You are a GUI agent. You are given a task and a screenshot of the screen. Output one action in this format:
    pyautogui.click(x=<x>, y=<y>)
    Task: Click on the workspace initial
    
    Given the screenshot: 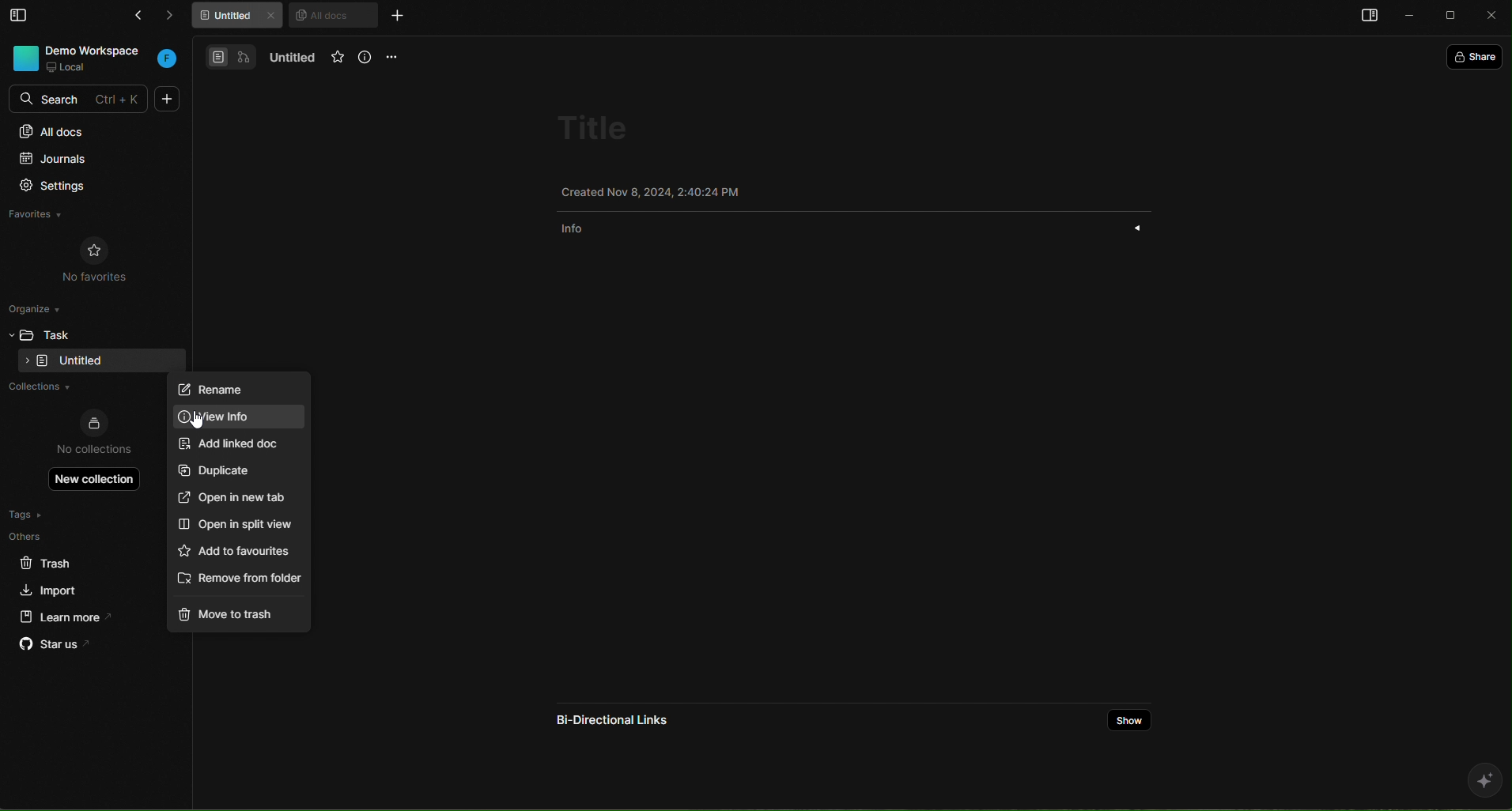 What is the action you would take?
    pyautogui.click(x=168, y=60)
    